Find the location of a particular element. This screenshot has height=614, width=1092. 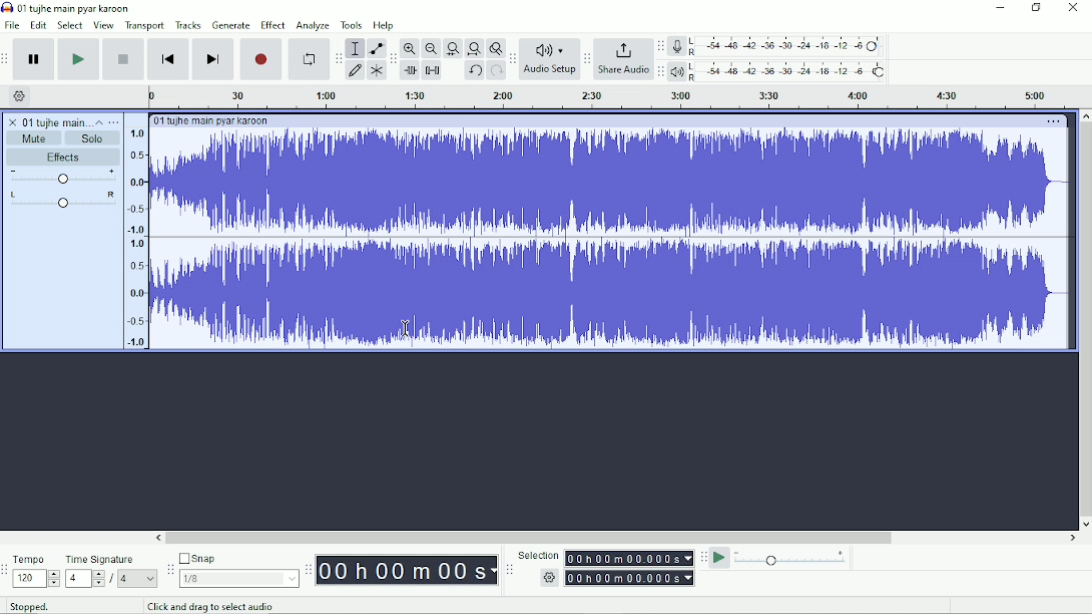

Track title is located at coordinates (44, 122).